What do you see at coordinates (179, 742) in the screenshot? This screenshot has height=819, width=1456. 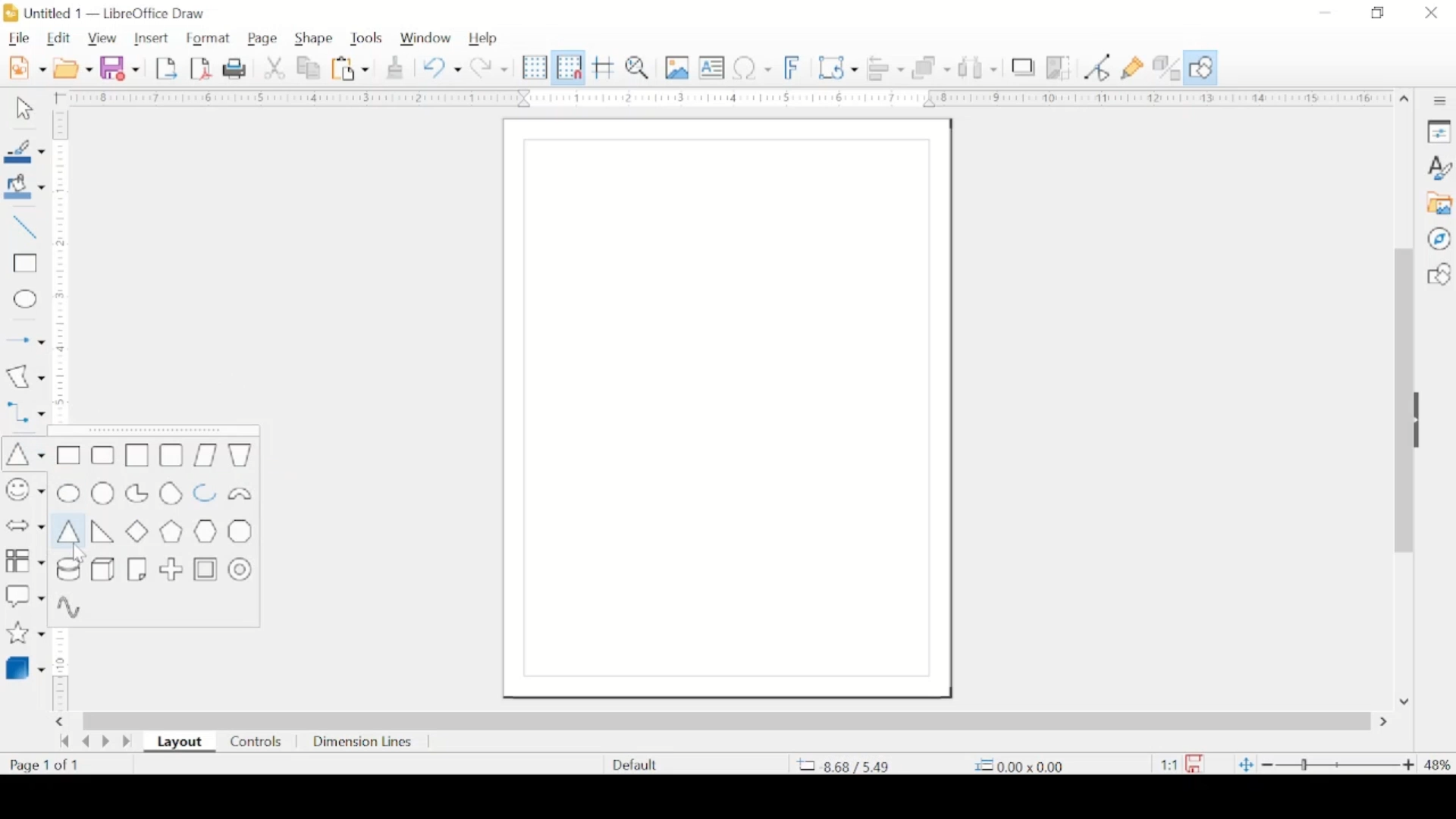 I see `layout` at bounding box center [179, 742].